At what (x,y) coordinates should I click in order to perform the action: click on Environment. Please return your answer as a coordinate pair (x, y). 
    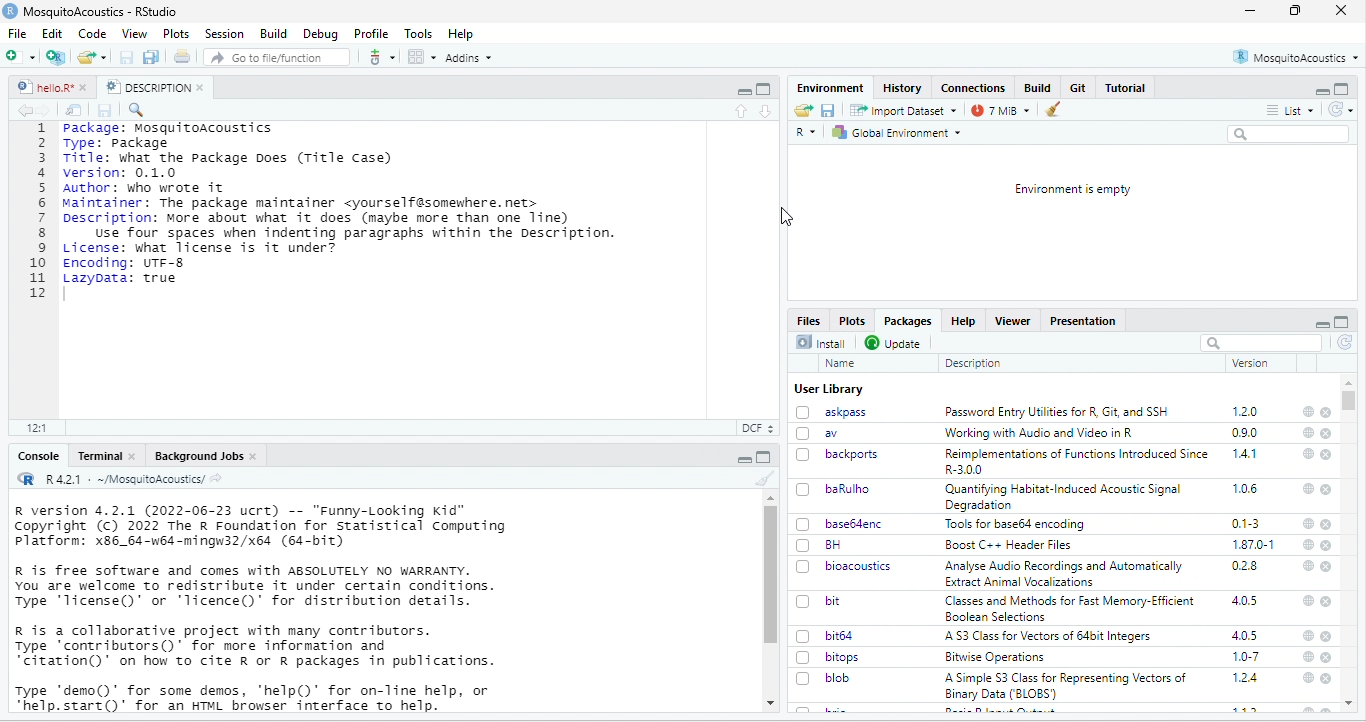
    Looking at the image, I should click on (828, 87).